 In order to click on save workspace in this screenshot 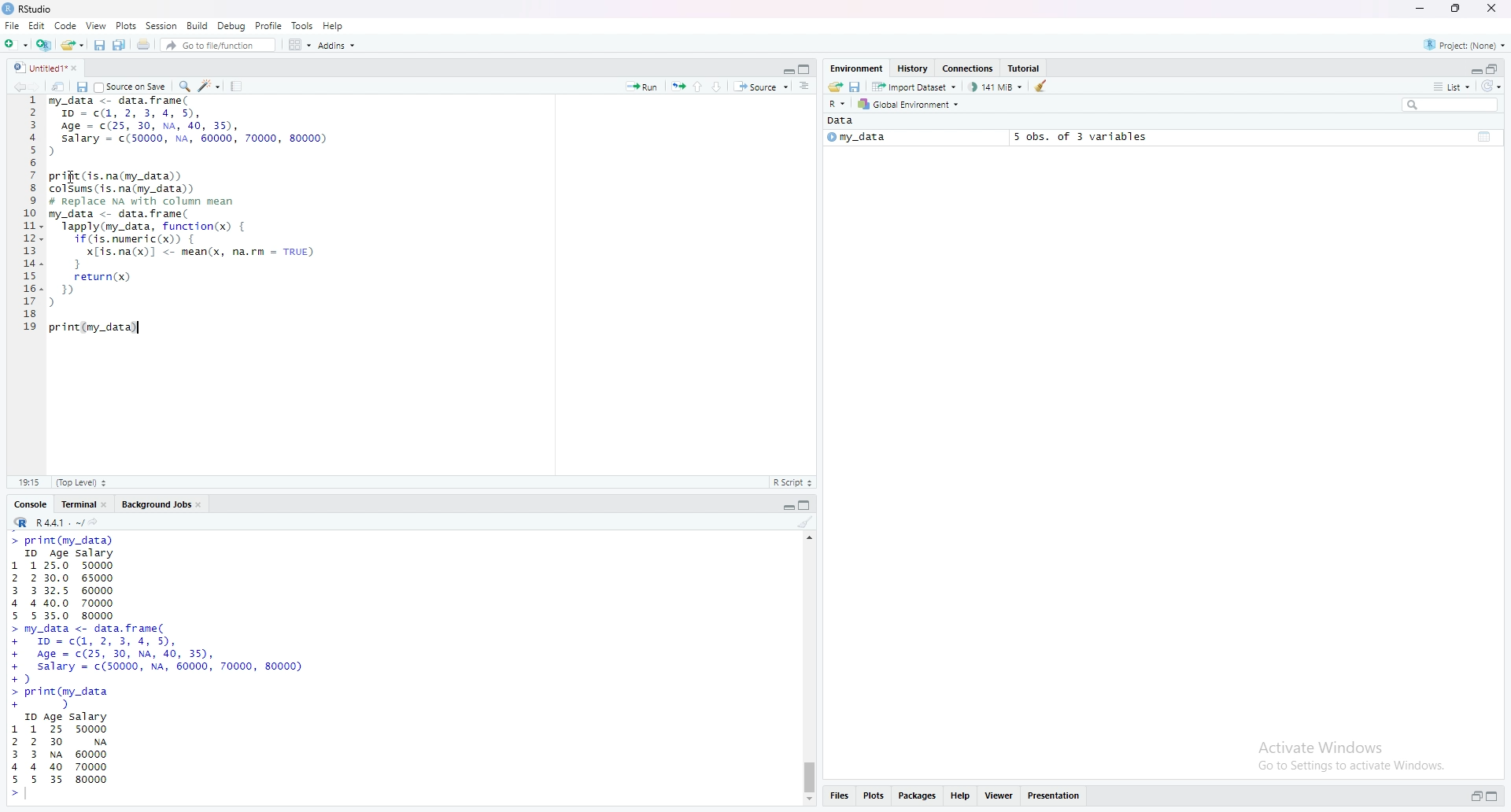, I will do `click(856, 88)`.